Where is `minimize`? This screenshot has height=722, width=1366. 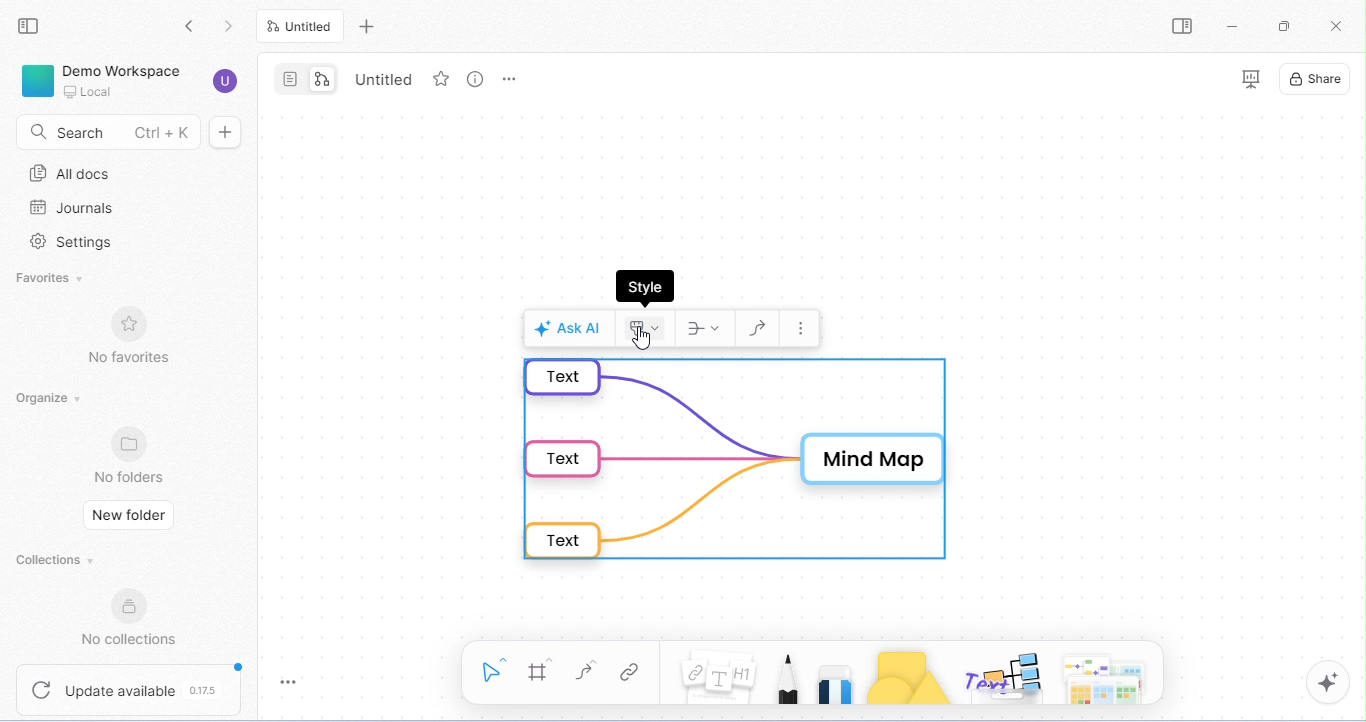 minimize is located at coordinates (1237, 28).